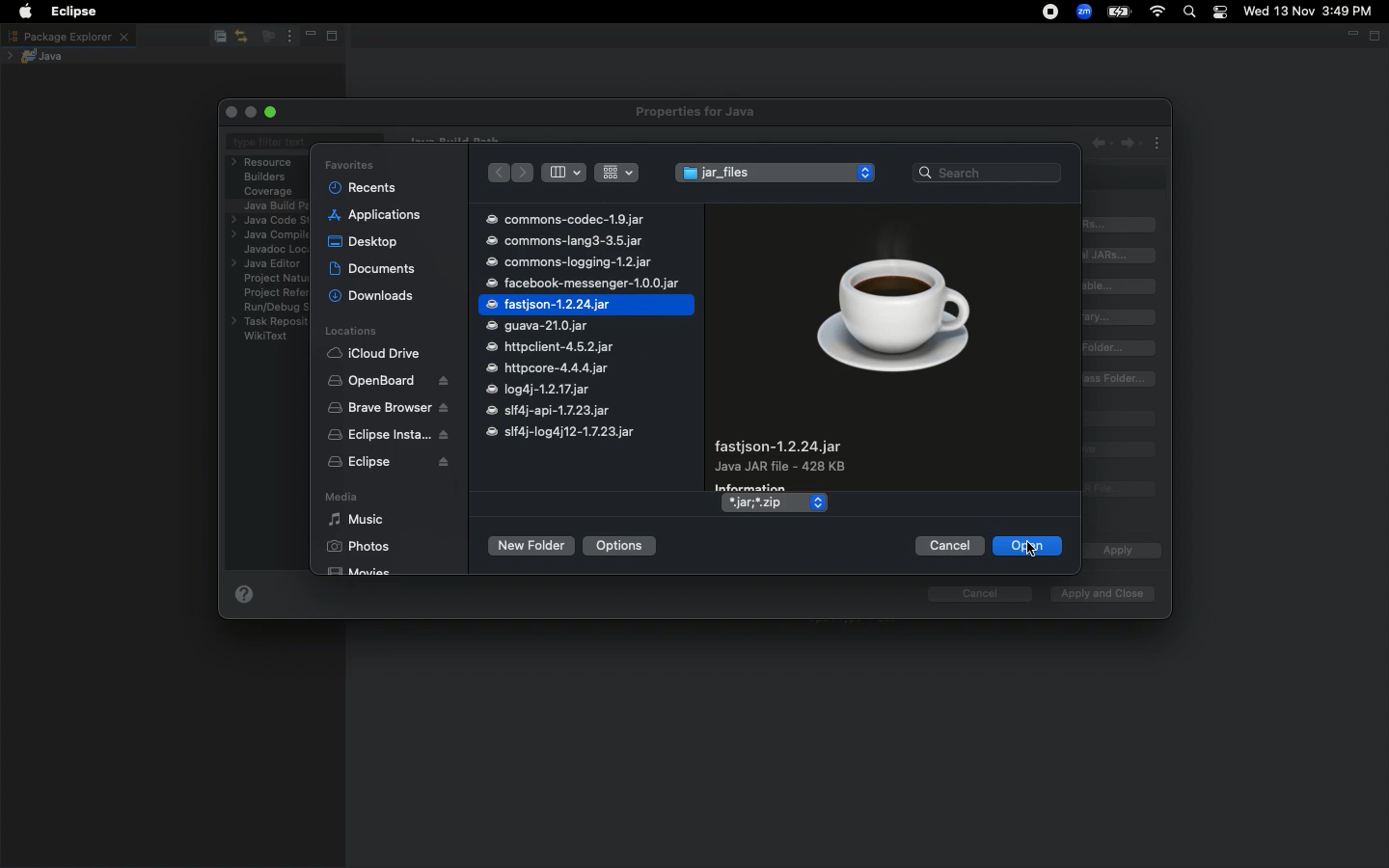 The width and height of the screenshot is (1389, 868). What do you see at coordinates (617, 171) in the screenshot?
I see `view rows` at bounding box center [617, 171].